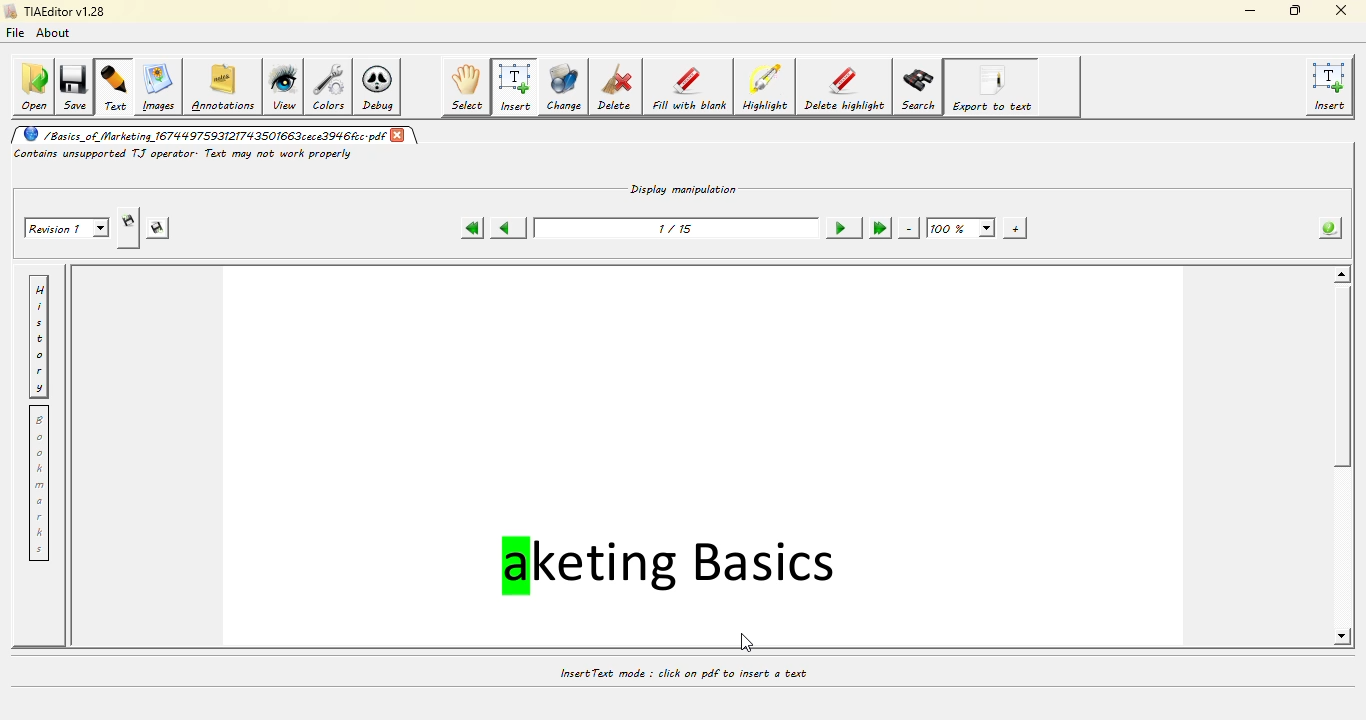 This screenshot has width=1366, height=720. Describe the element at coordinates (690, 89) in the screenshot. I see `fill with blank` at that location.